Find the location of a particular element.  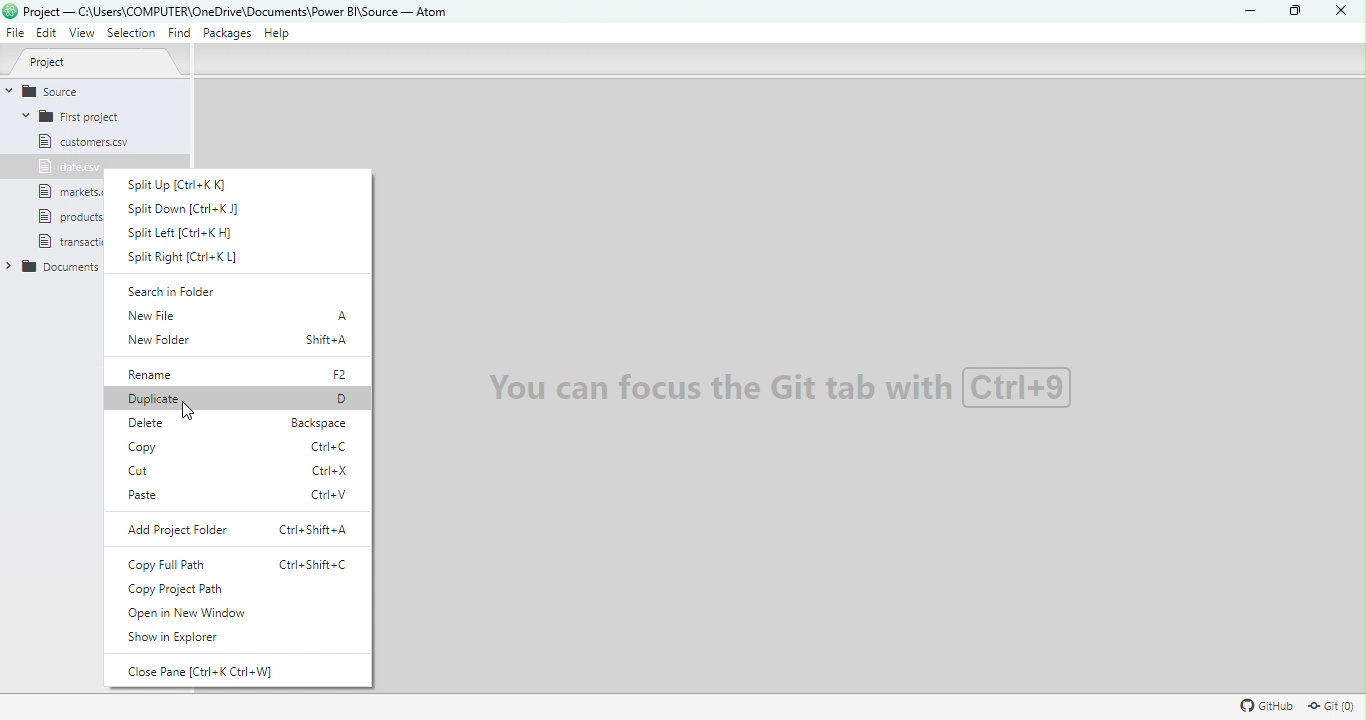

Selection is located at coordinates (133, 34).